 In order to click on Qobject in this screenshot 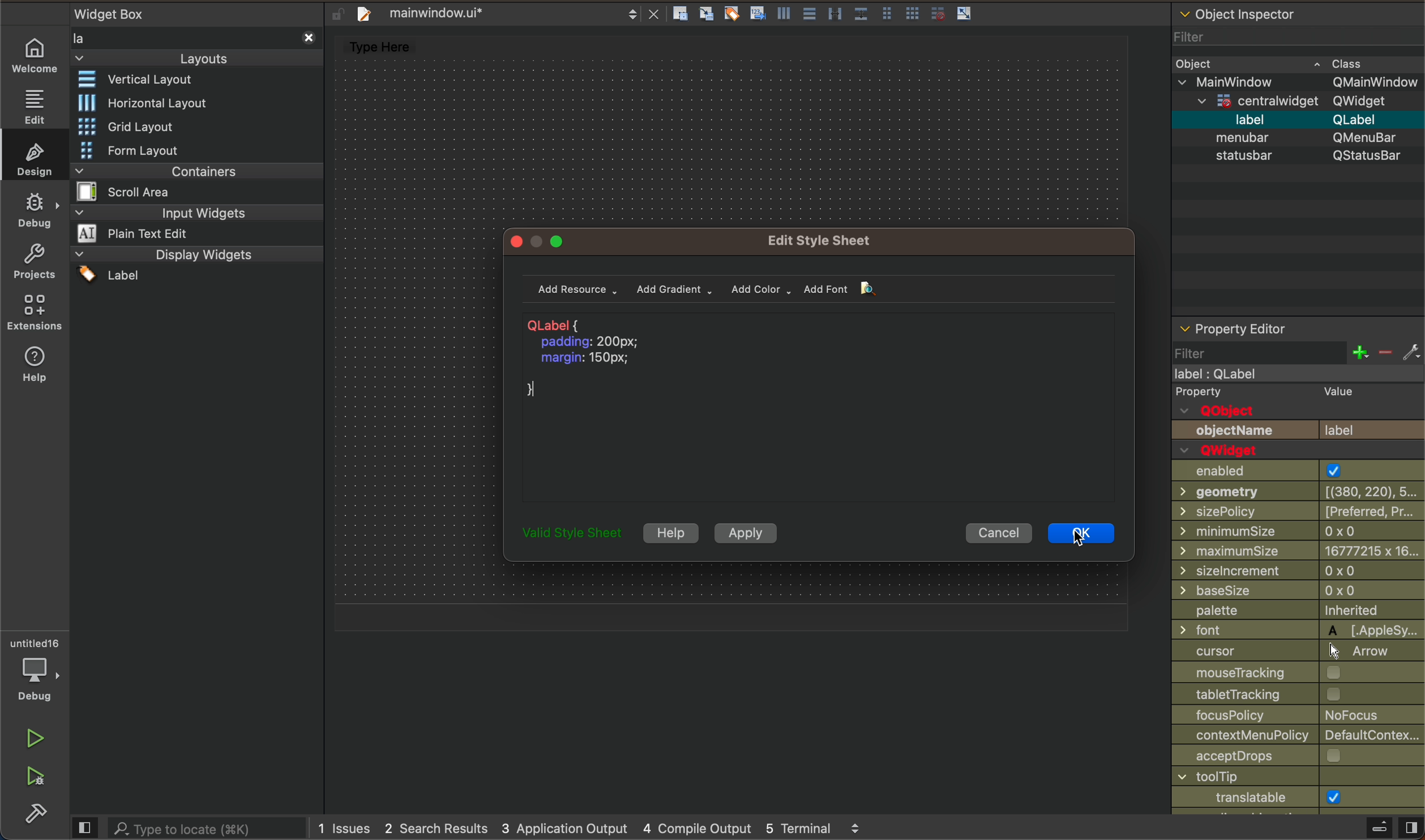, I will do `click(1299, 412)`.